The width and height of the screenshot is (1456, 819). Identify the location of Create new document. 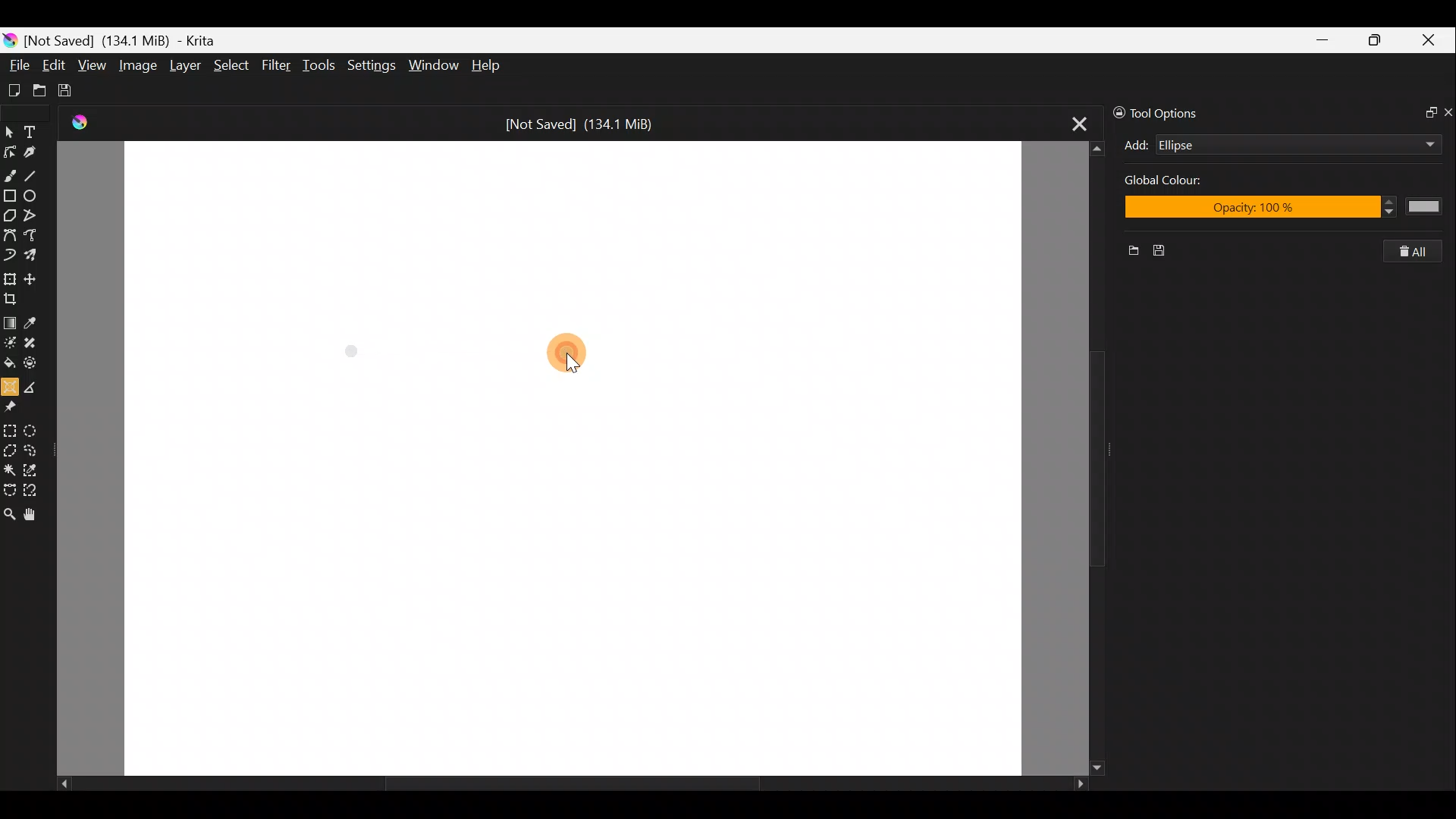
(13, 89).